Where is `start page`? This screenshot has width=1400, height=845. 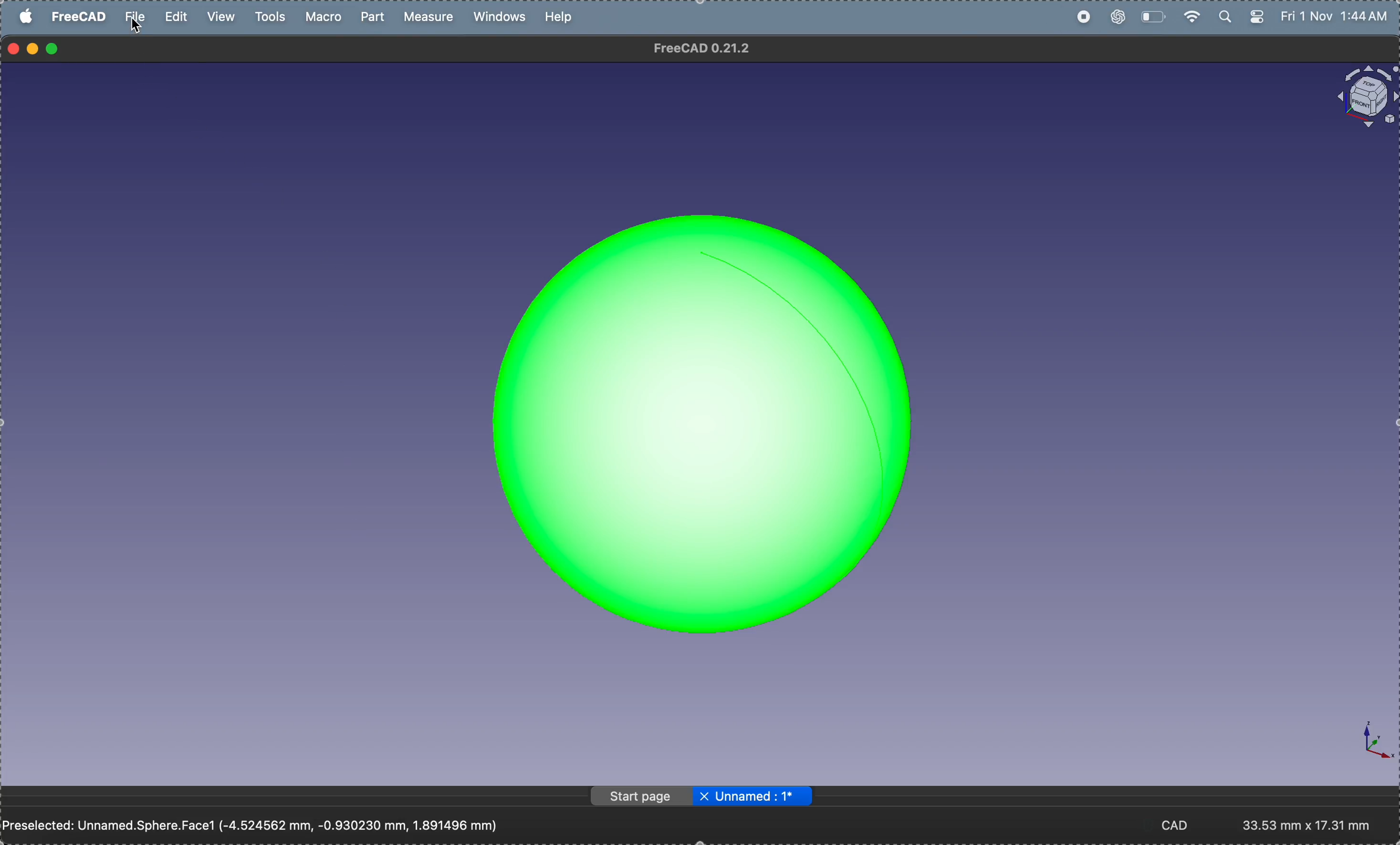
start page is located at coordinates (637, 796).